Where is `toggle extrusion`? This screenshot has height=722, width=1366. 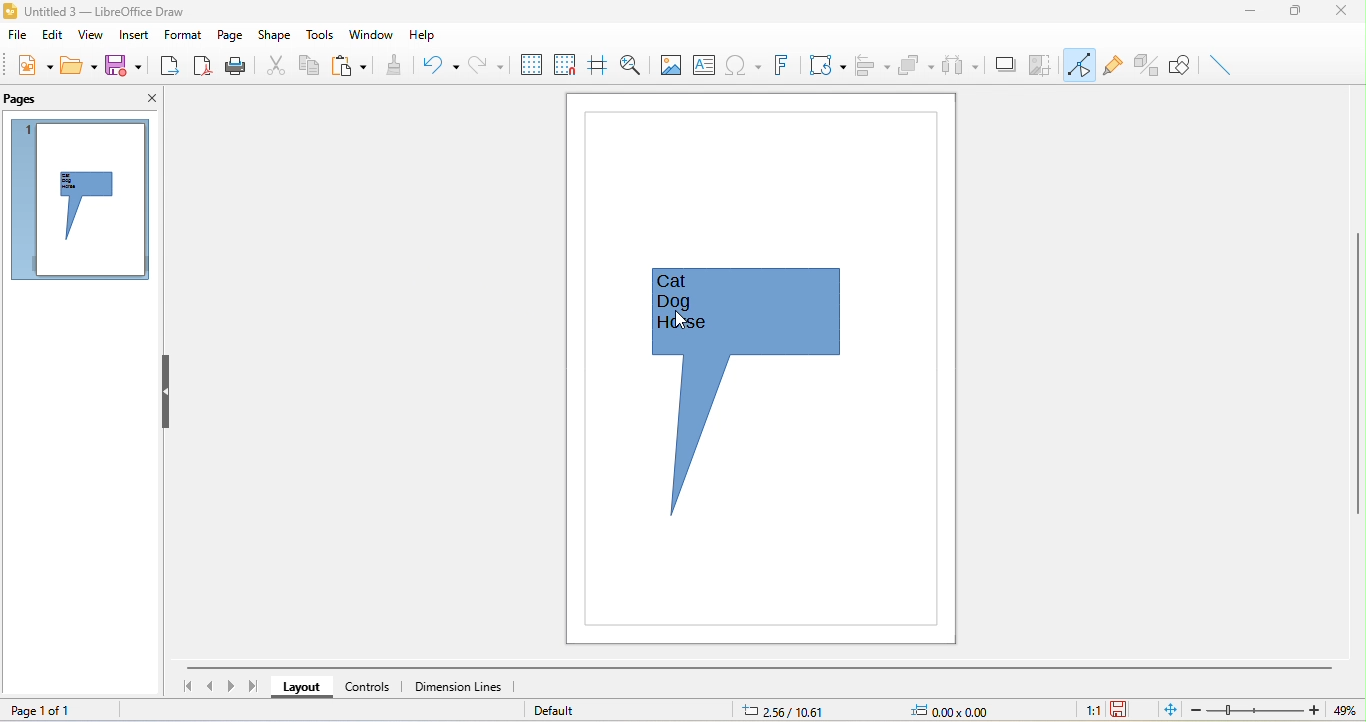 toggle extrusion is located at coordinates (1147, 66).